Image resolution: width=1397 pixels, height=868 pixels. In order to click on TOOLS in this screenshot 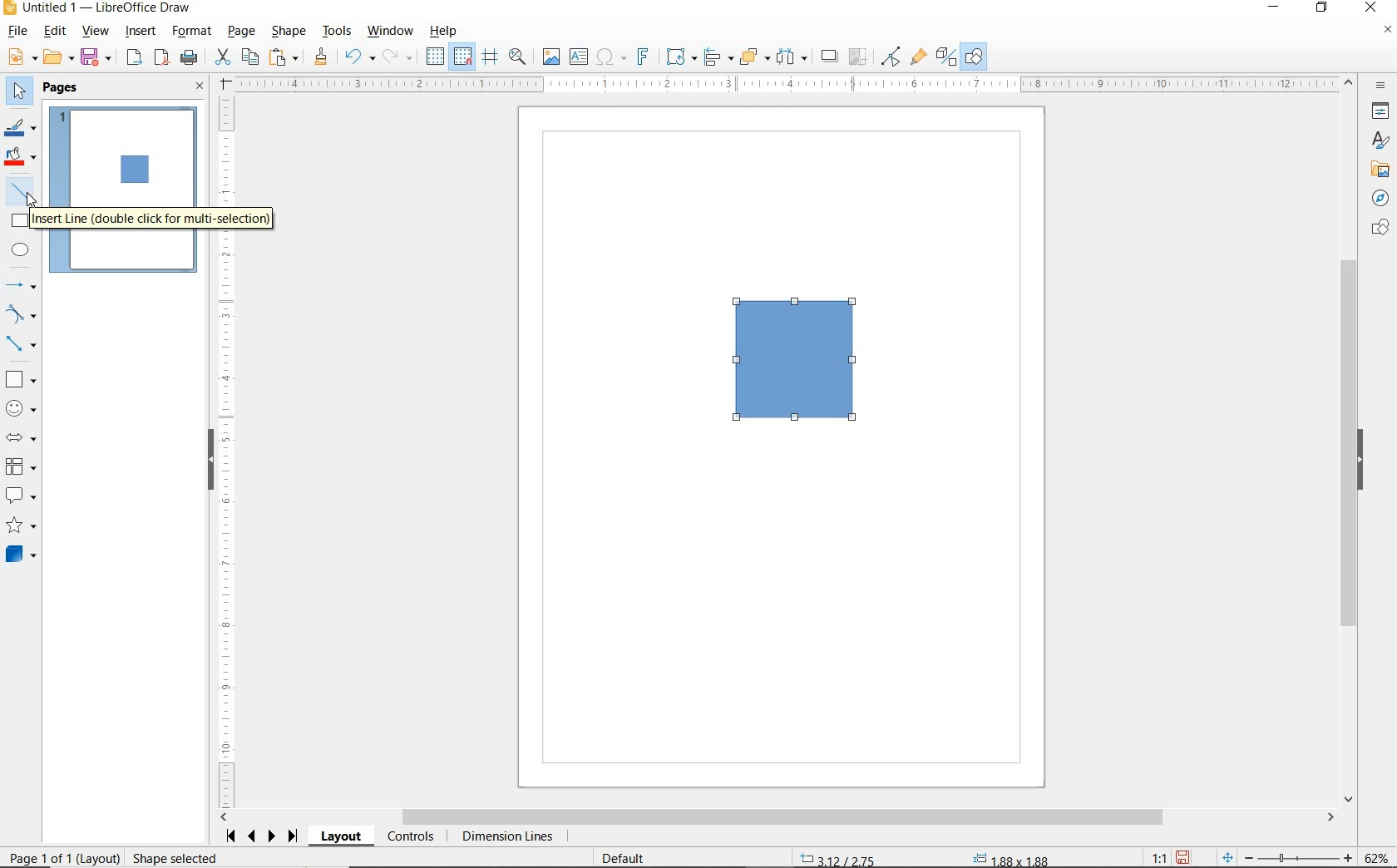, I will do `click(338, 32)`.